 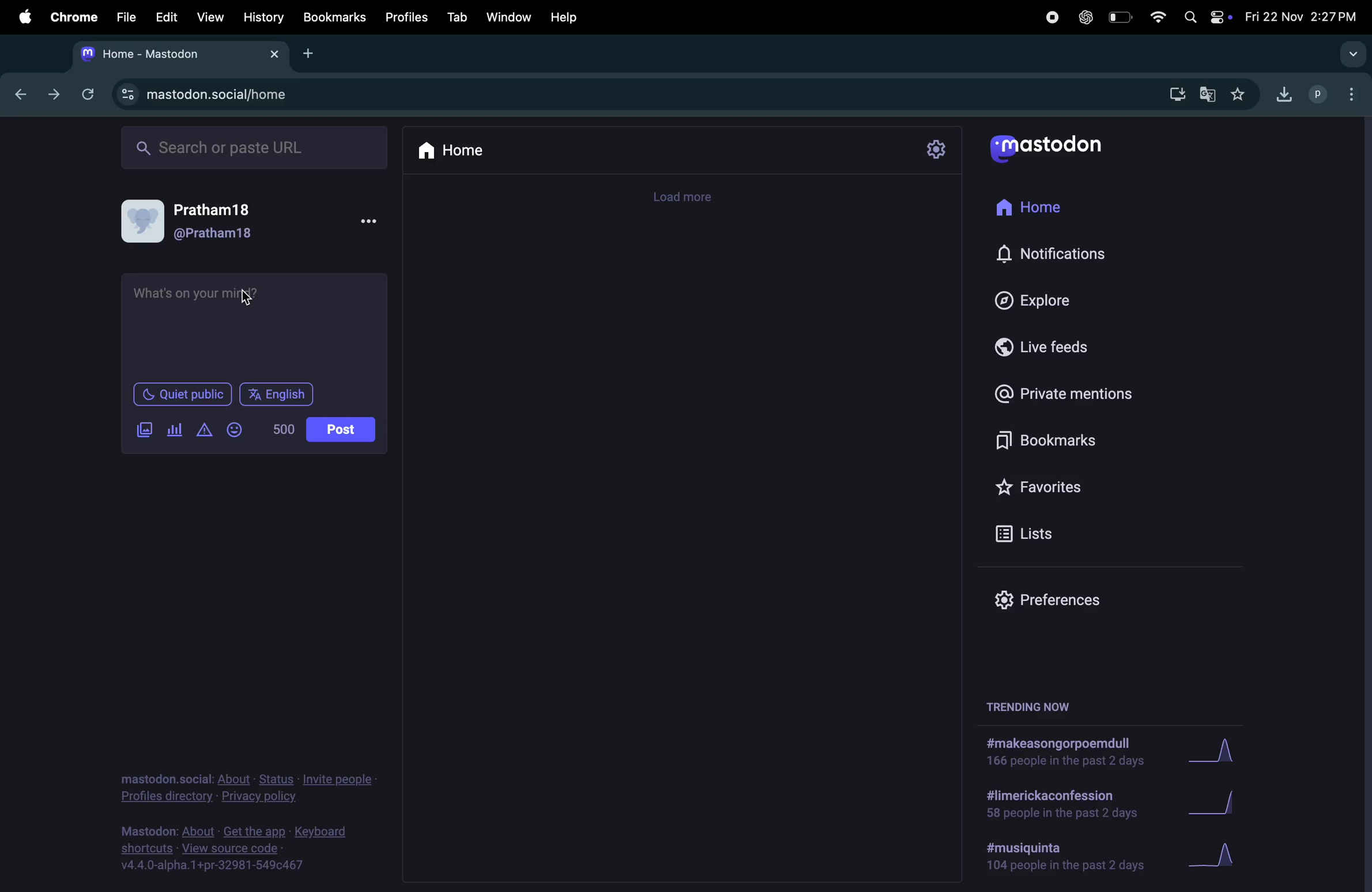 What do you see at coordinates (145, 428) in the screenshot?
I see `image` at bounding box center [145, 428].